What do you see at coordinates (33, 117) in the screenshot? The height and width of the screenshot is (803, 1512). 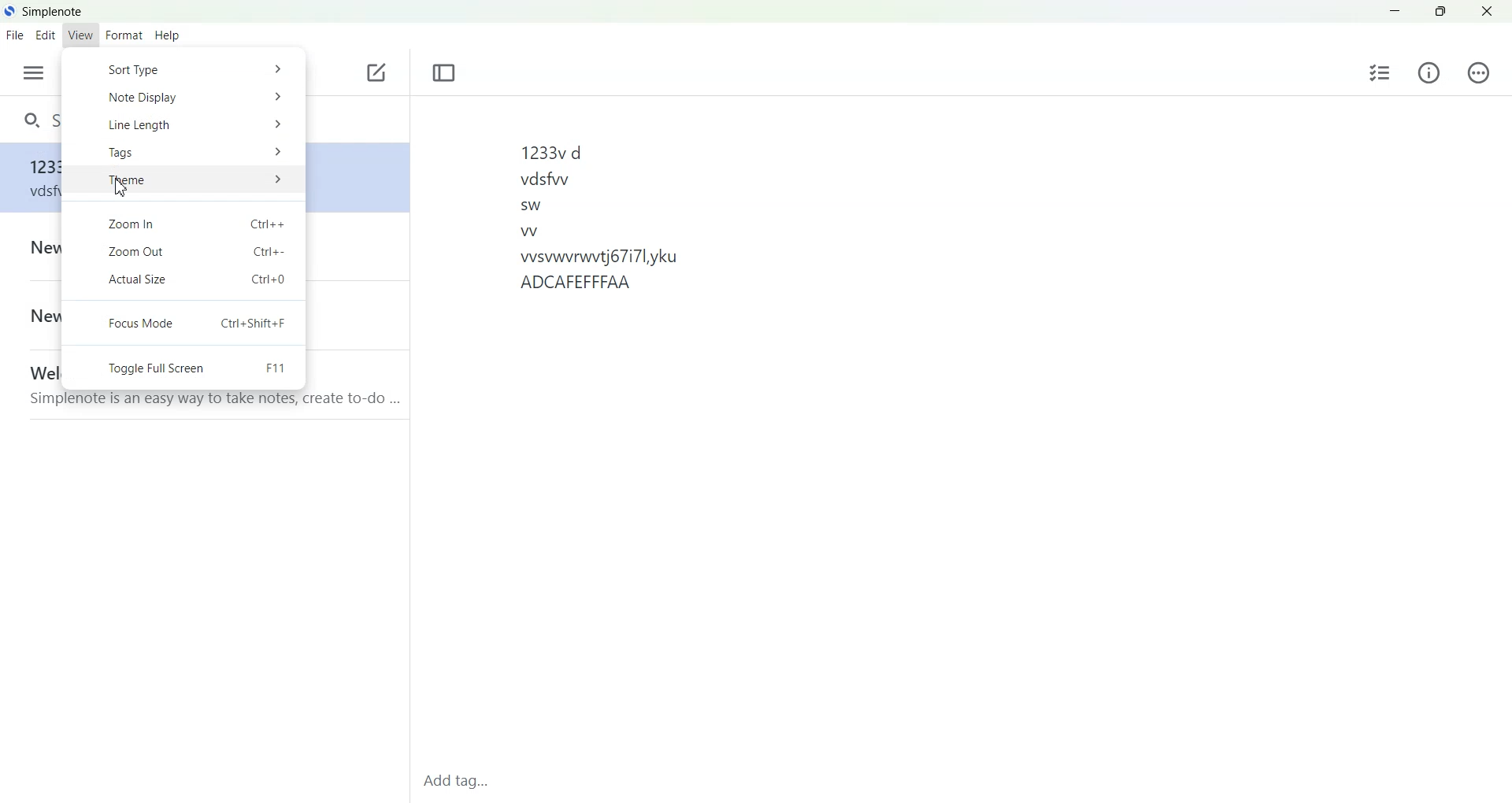 I see `Search notes and tags` at bounding box center [33, 117].